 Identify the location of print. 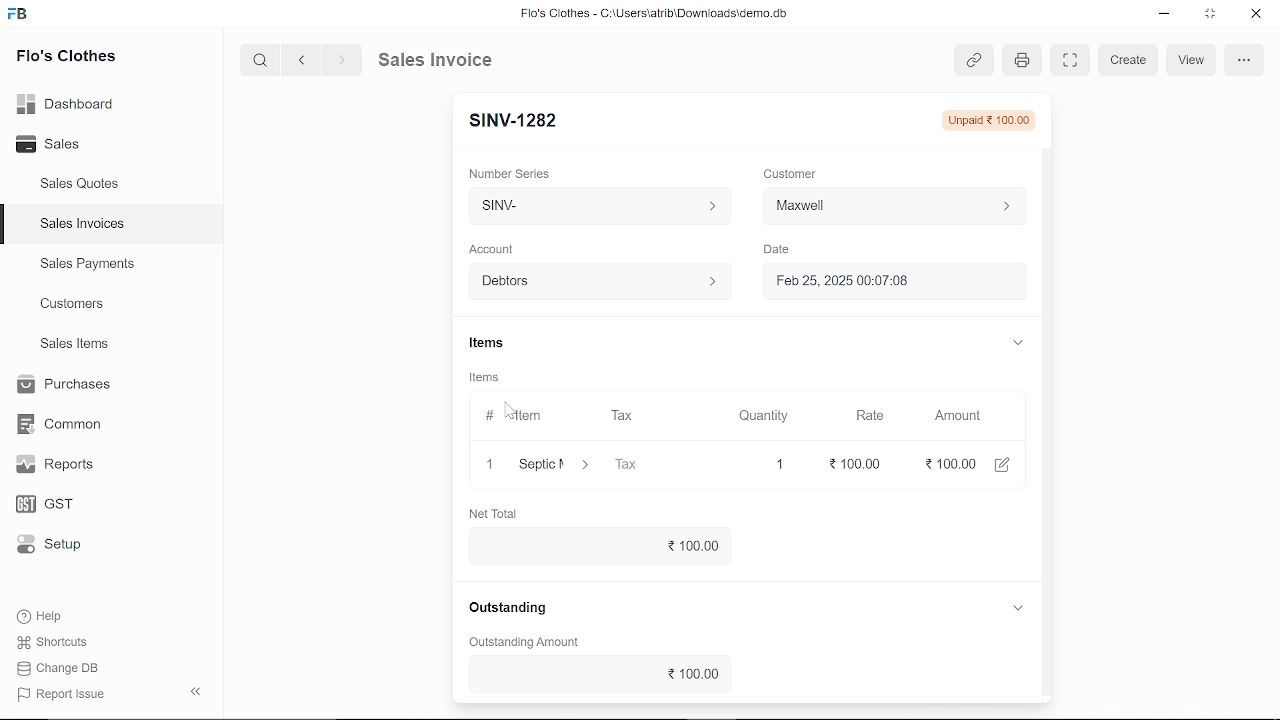
(1022, 62).